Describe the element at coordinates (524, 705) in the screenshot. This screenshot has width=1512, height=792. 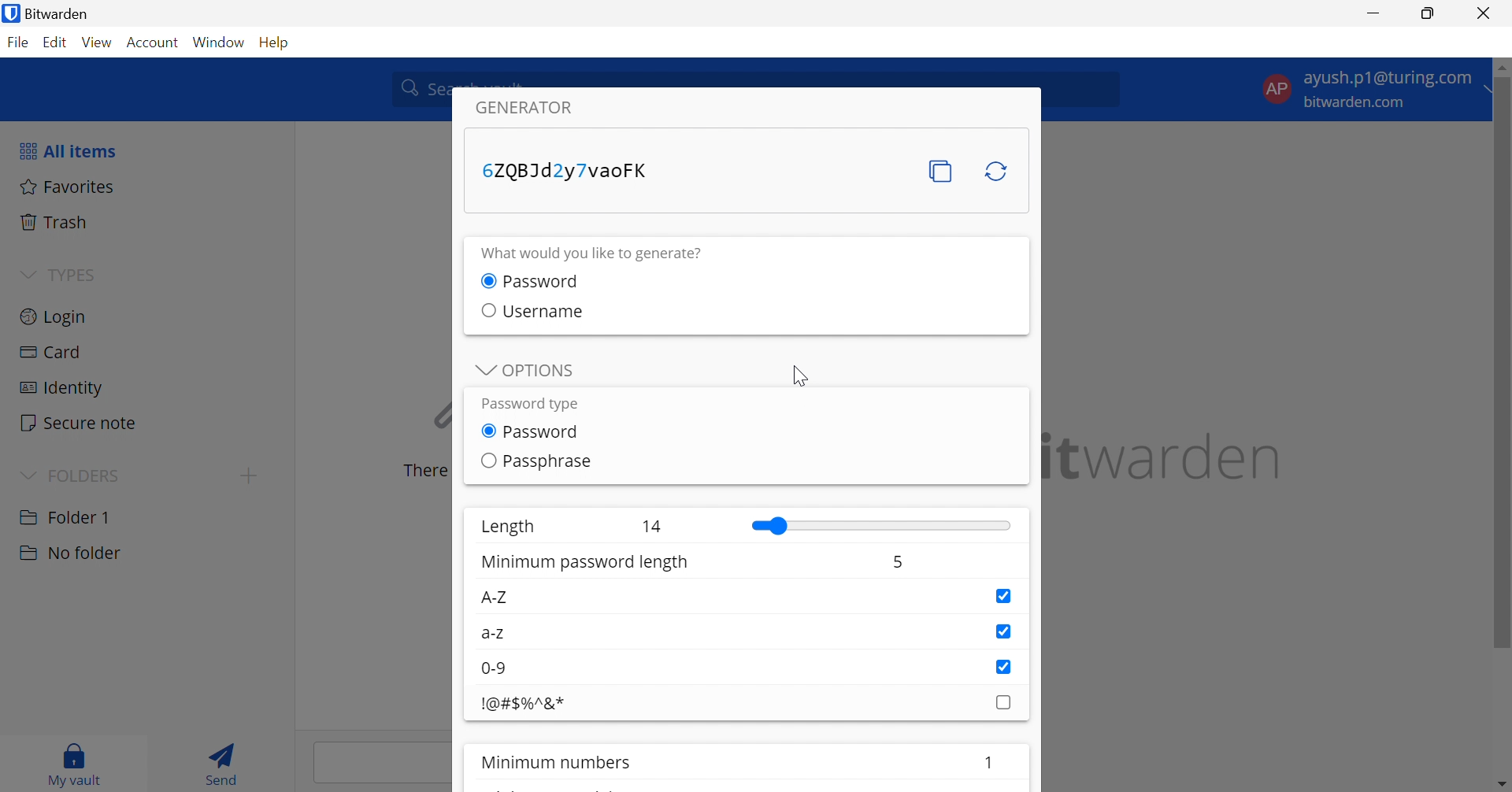
I see `!@#$%^&*` at that location.